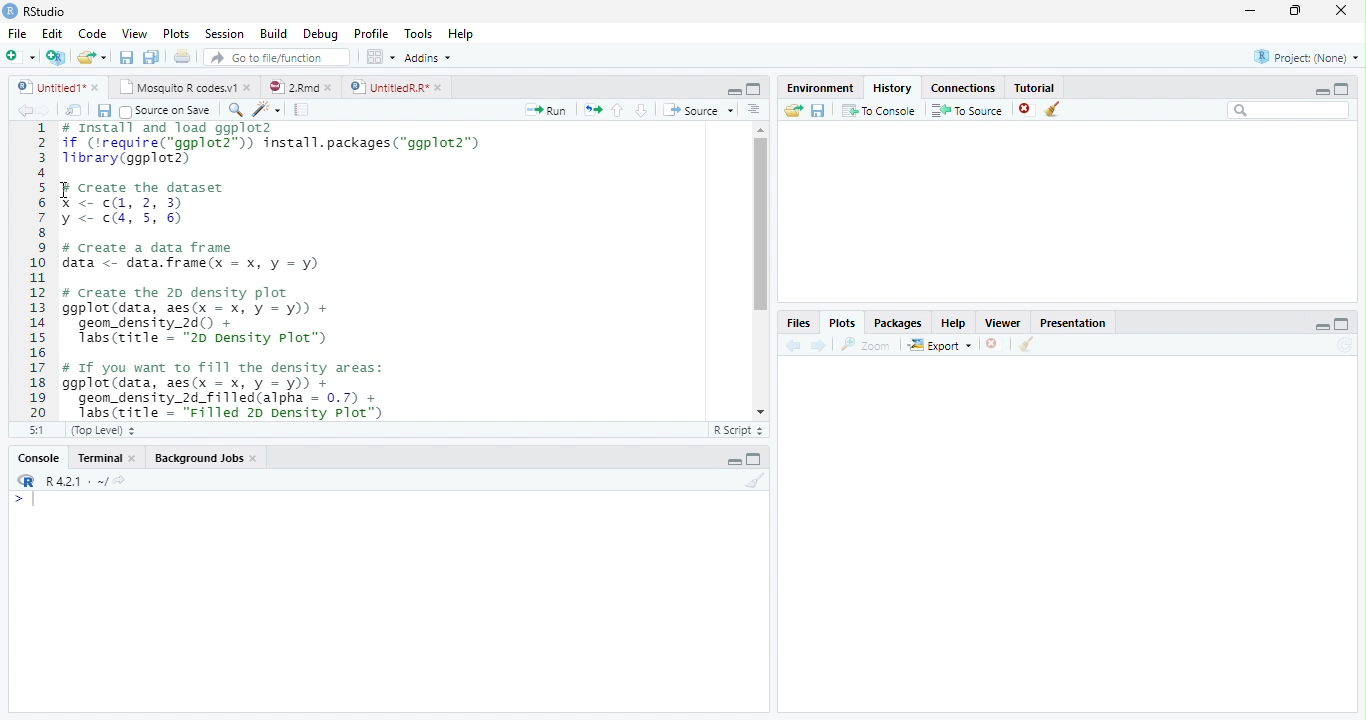 The width and height of the screenshot is (1366, 720). Describe the element at coordinates (592, 109) in the screenshot. I see `re-run the previous code` at that location.